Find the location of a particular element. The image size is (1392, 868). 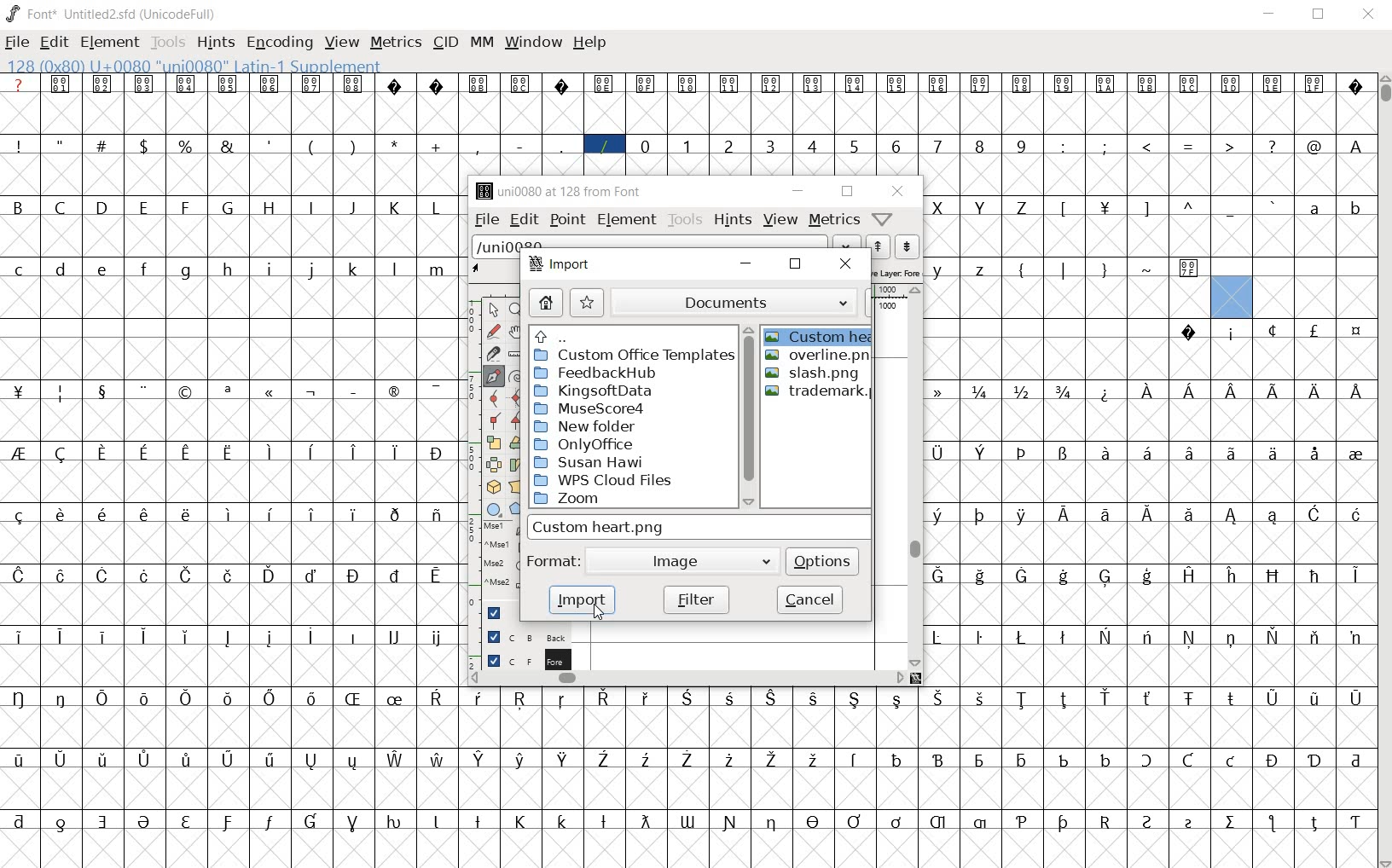

glyph is located at coordinates (355, 637).